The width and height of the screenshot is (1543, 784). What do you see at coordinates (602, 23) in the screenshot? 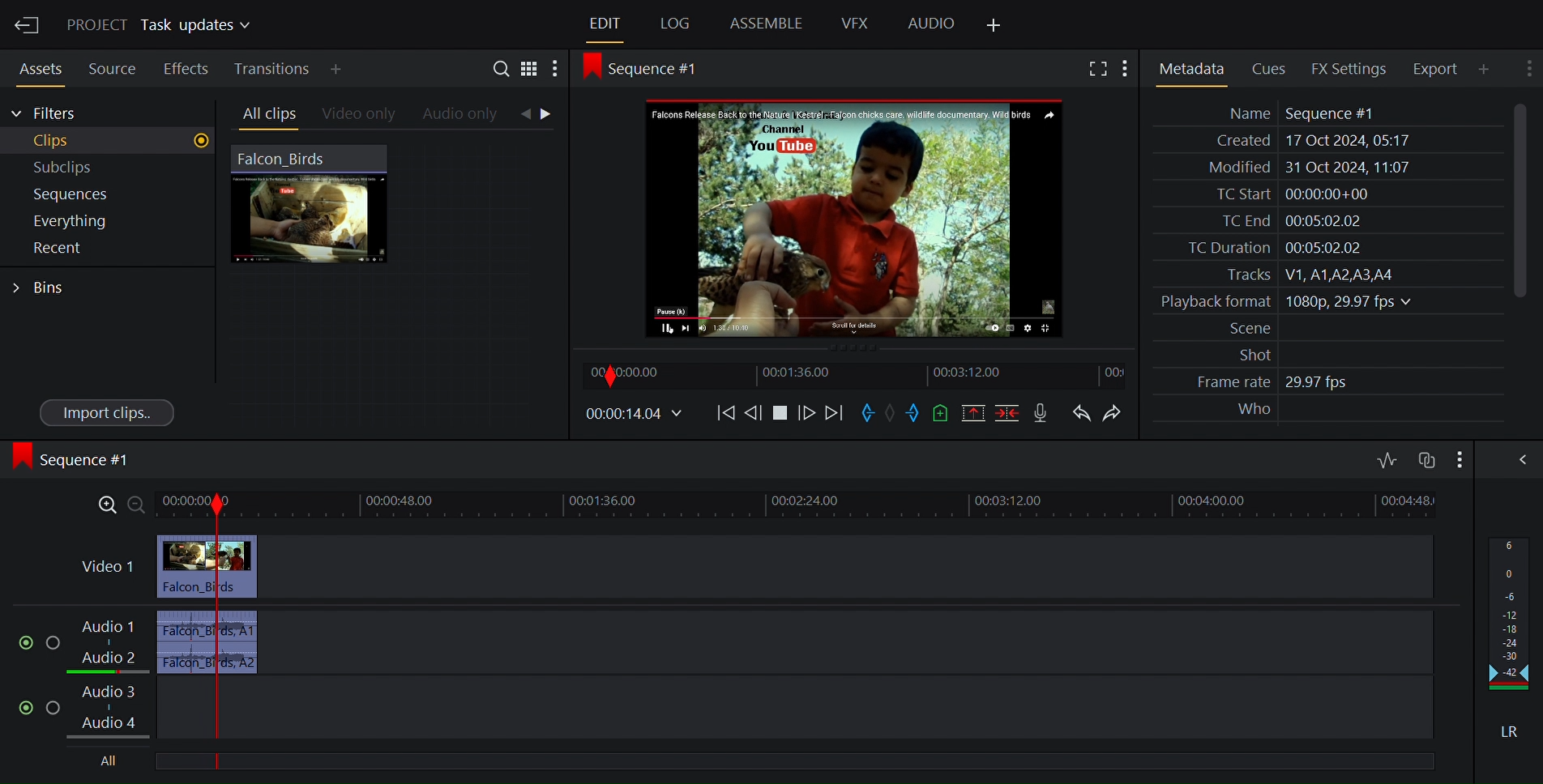
I see `Edit` at bounding box center [602, 23].